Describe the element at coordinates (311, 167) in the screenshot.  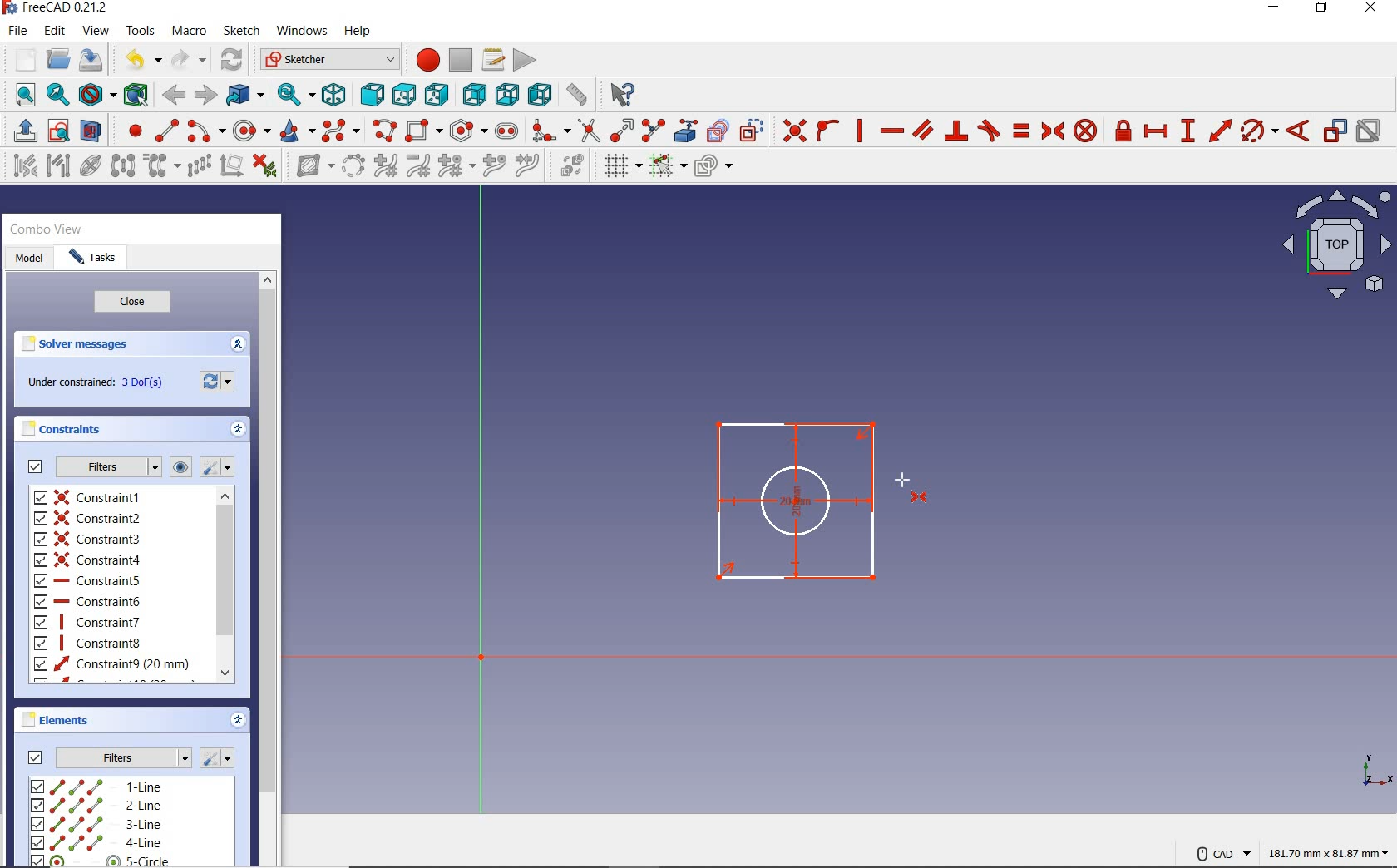
I see `show/hide b-spline information layer` at that location.